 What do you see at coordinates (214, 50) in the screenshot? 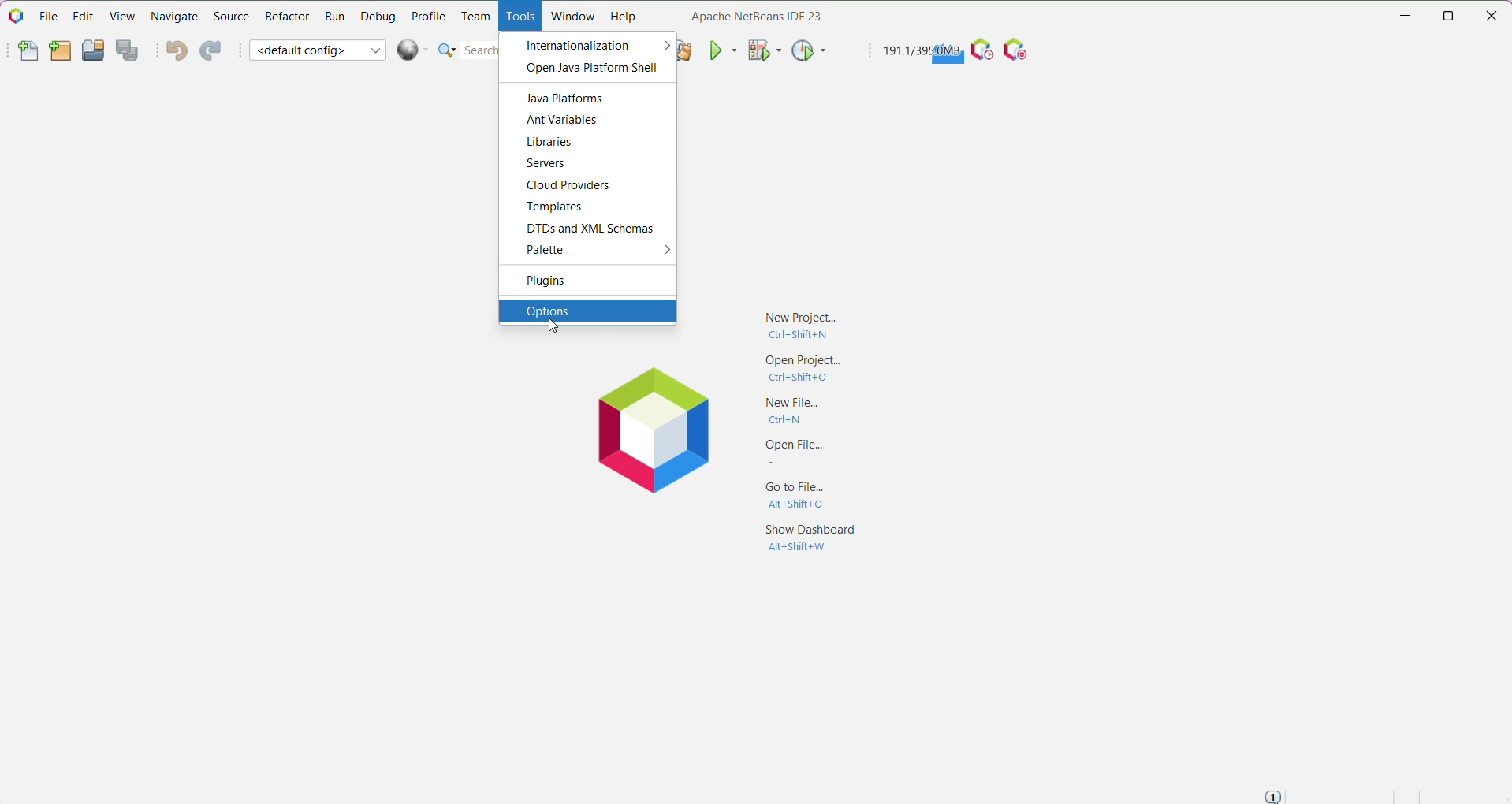
I see `Redo` at bounding box center [214, 50].